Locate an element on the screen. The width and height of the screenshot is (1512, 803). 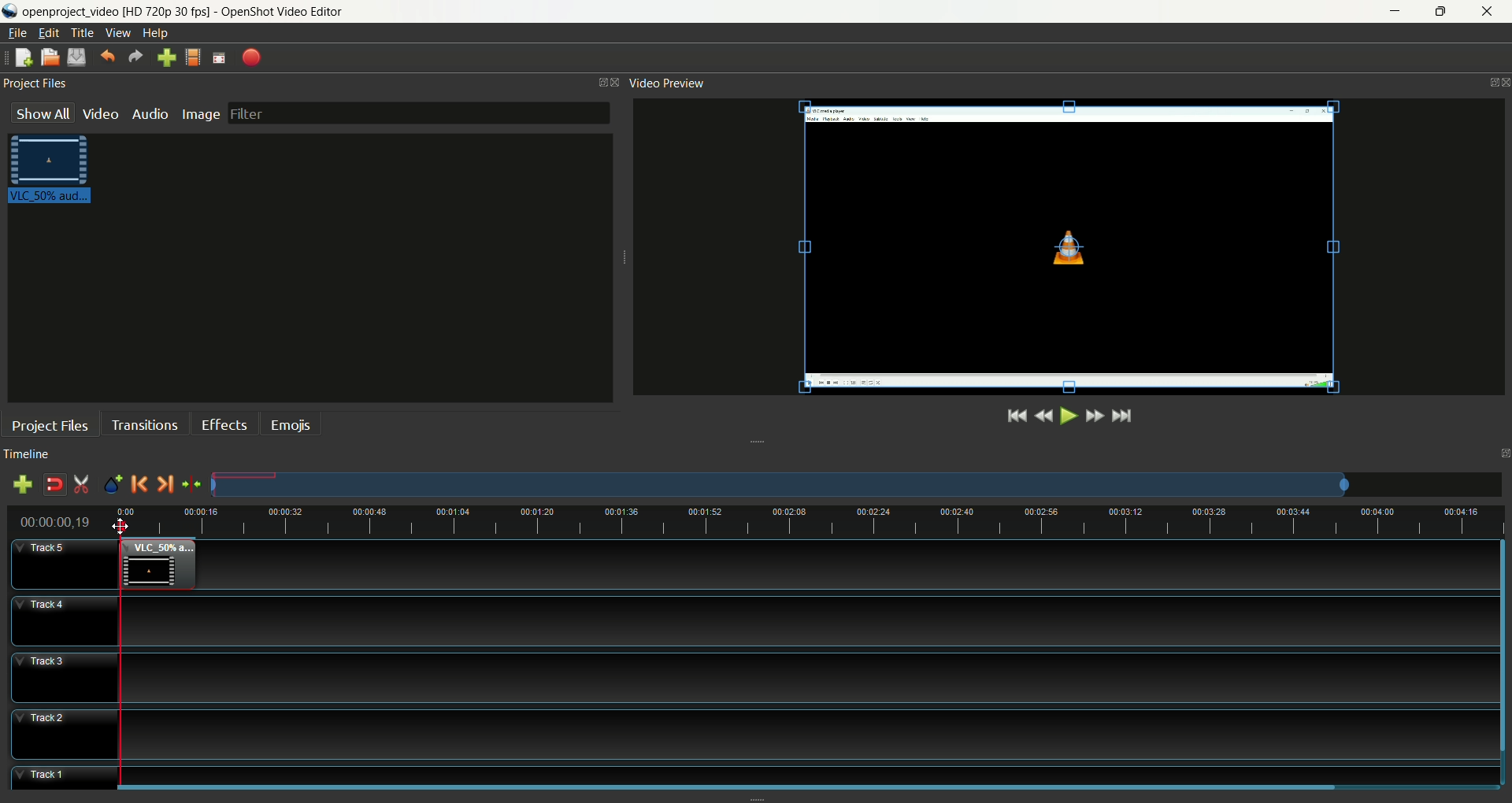
export video is located at coordinates (253, 57).